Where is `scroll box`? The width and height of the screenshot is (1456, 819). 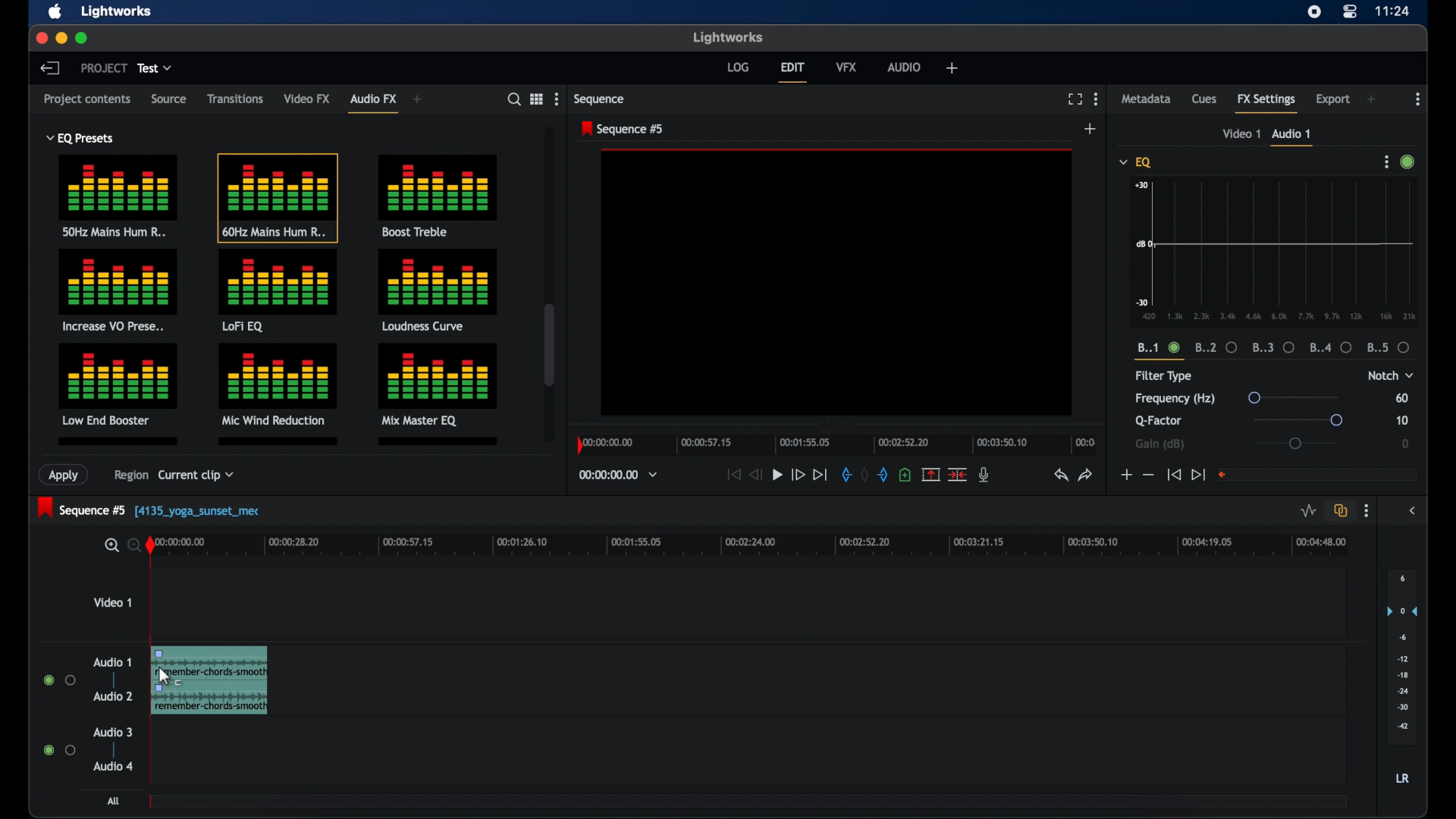 scroll box is located at coordinates (549, 354).